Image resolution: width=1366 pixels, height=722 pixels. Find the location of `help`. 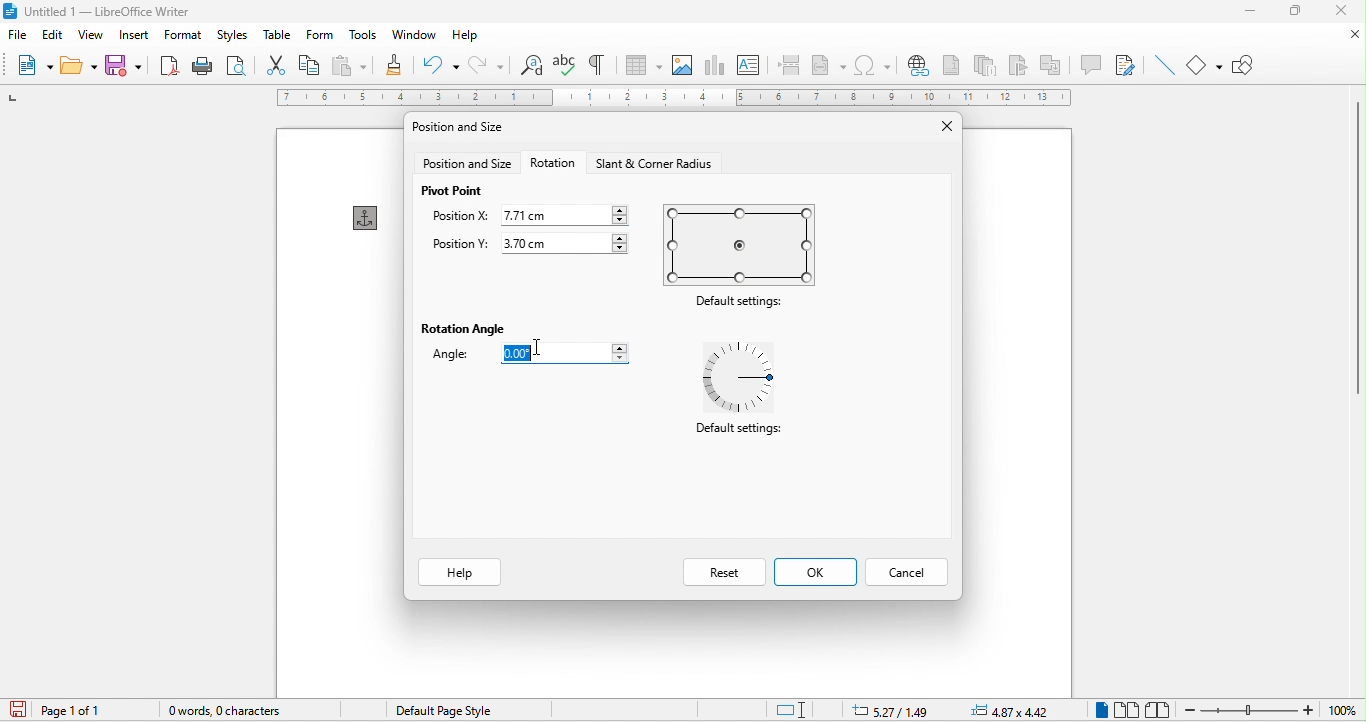

help is located at coordinates (463, 36).